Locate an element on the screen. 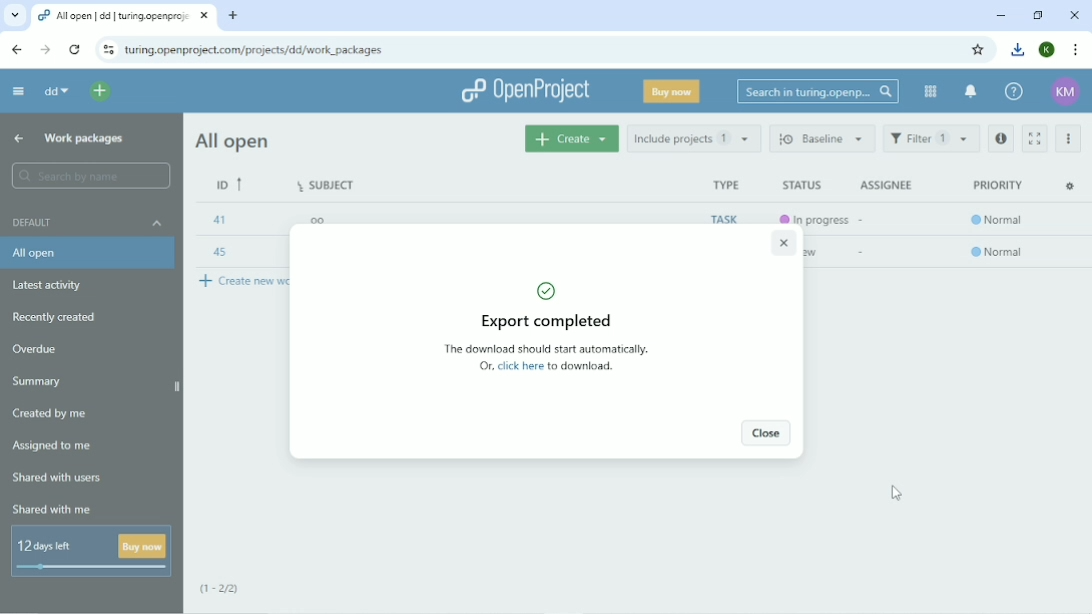  Restore down is located at coordinates (1038, 14).